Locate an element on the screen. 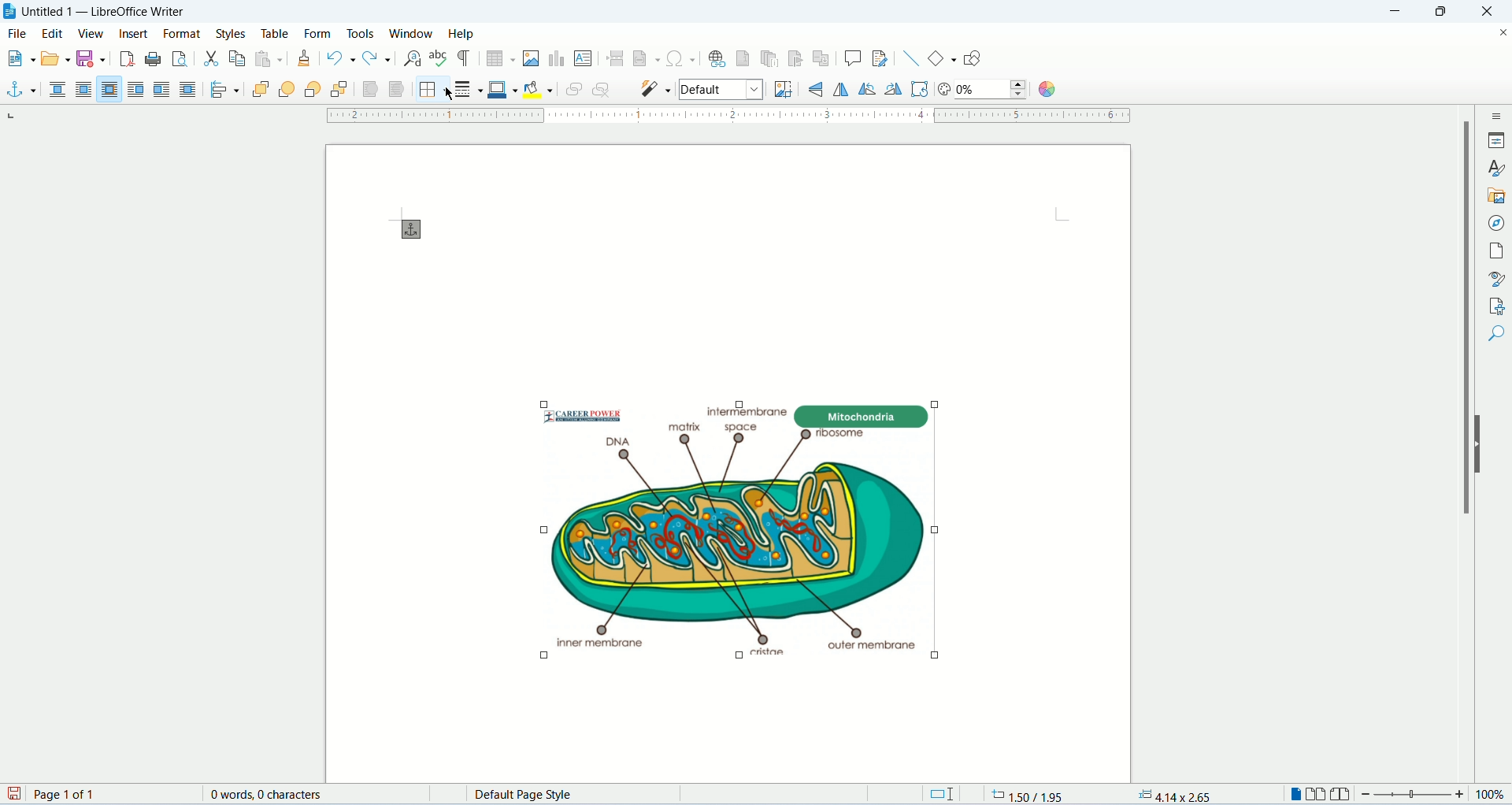 Image resolution: width=1512 pixels, height=805 pixels. navigator is located at coordinates (1497, 224).